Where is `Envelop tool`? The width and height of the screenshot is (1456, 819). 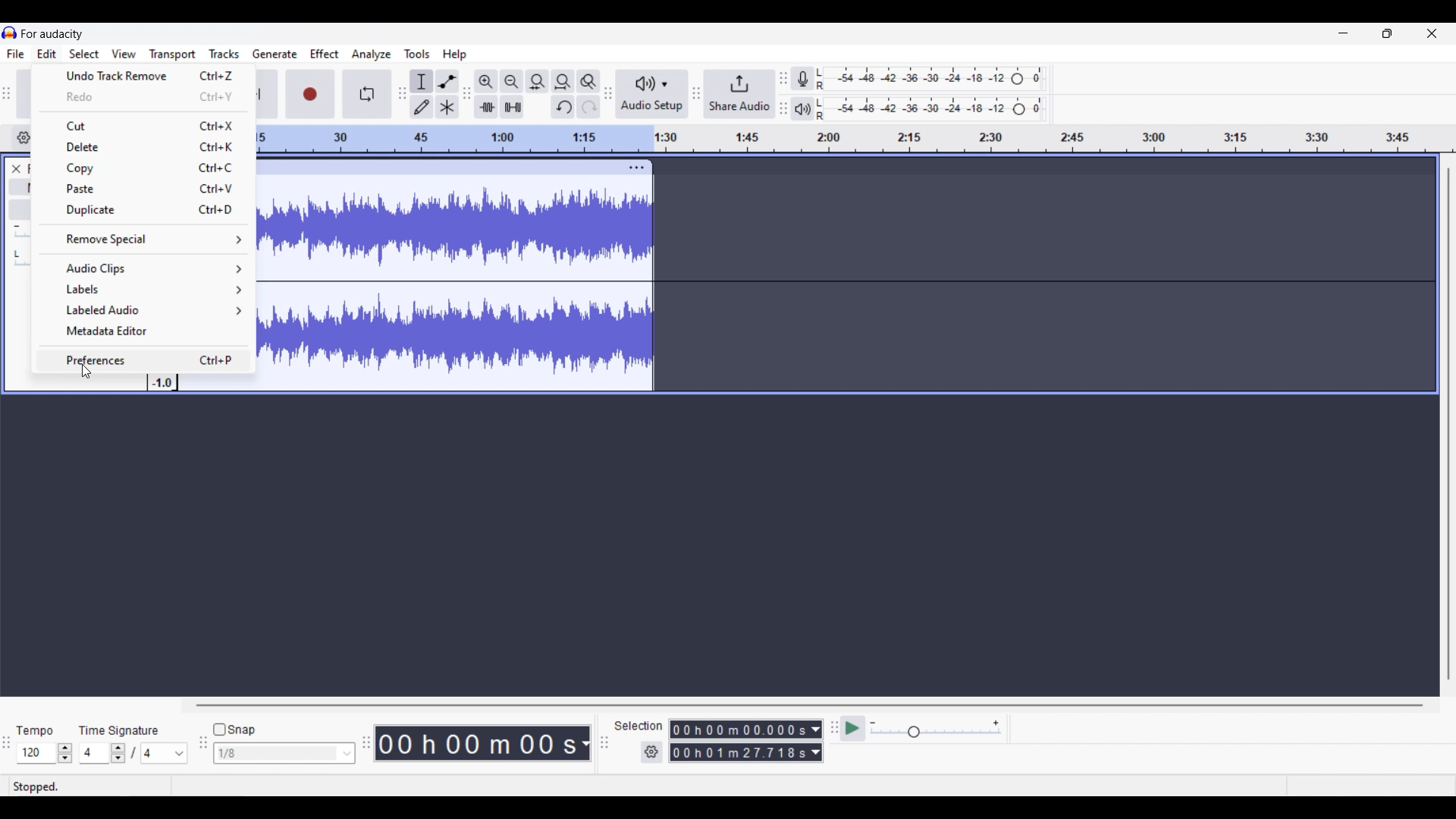 Envelop tool is located at coordinates (447, 81).